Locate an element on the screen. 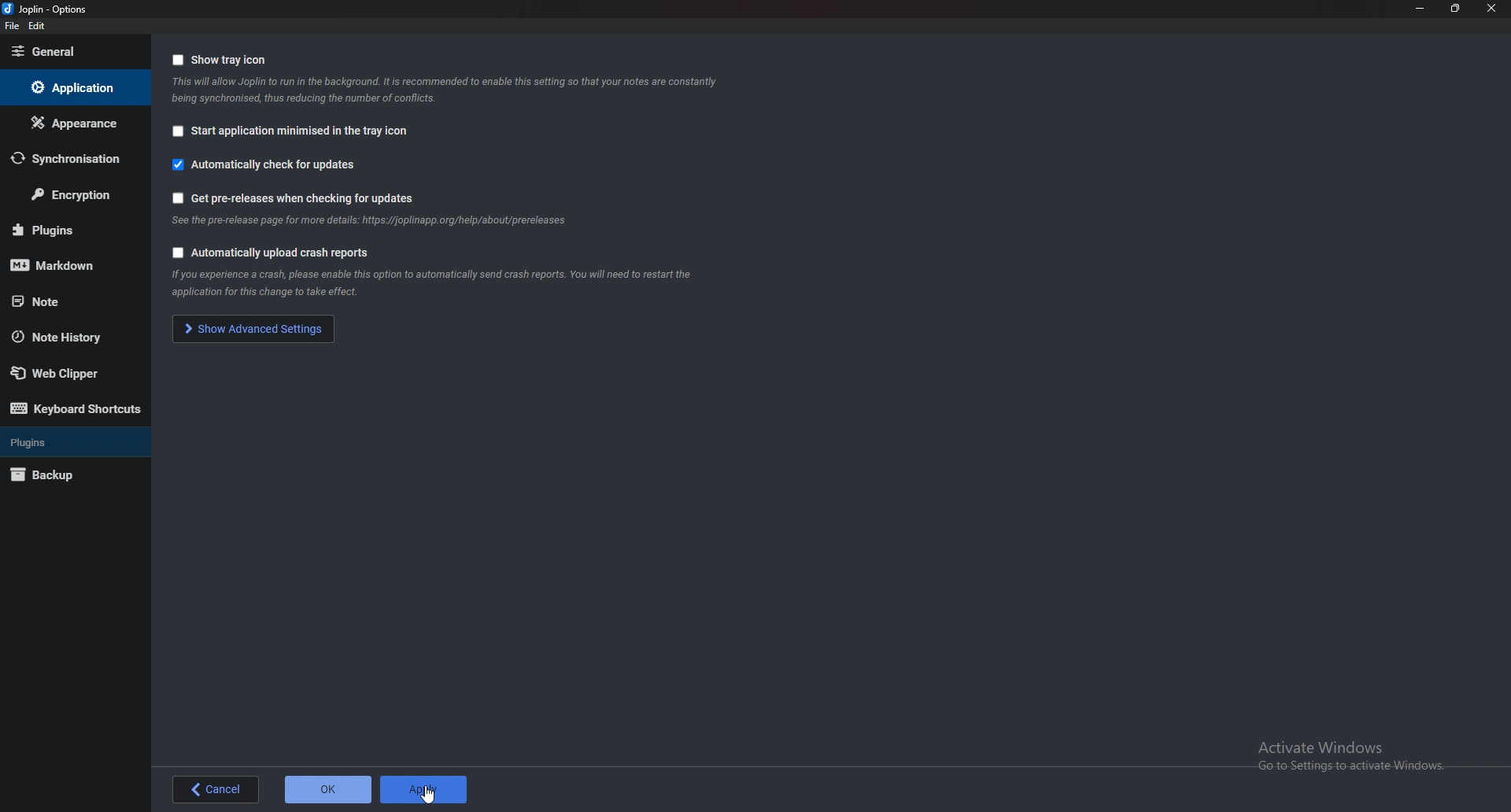 The image size is (1511, 812). show advanced settings is located at coordinates (256, 328).